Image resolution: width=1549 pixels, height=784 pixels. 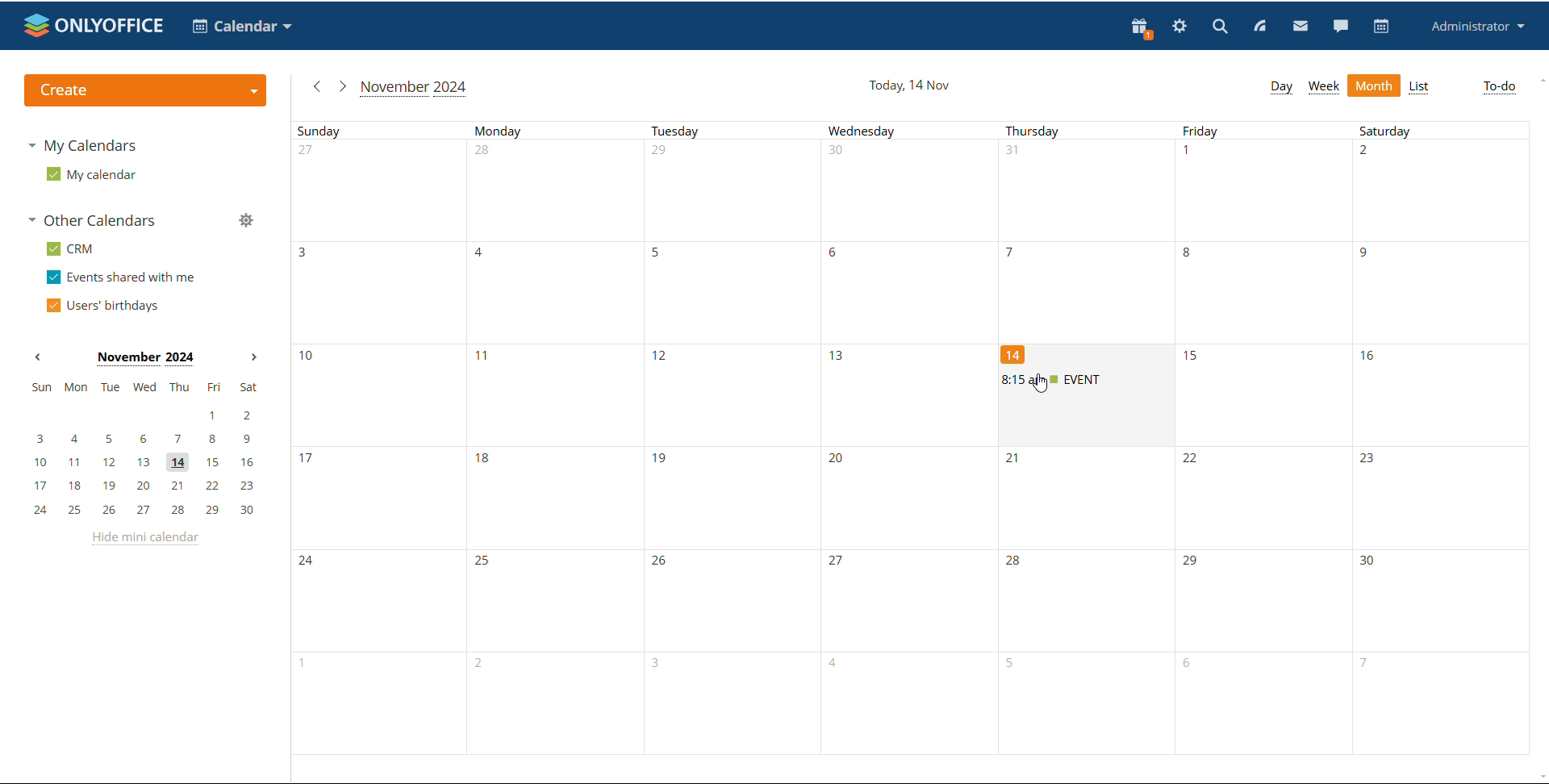 What do you see at coordinates (240, 27) in the screenshot?
I see `select application` at bounding box center [240, 27].